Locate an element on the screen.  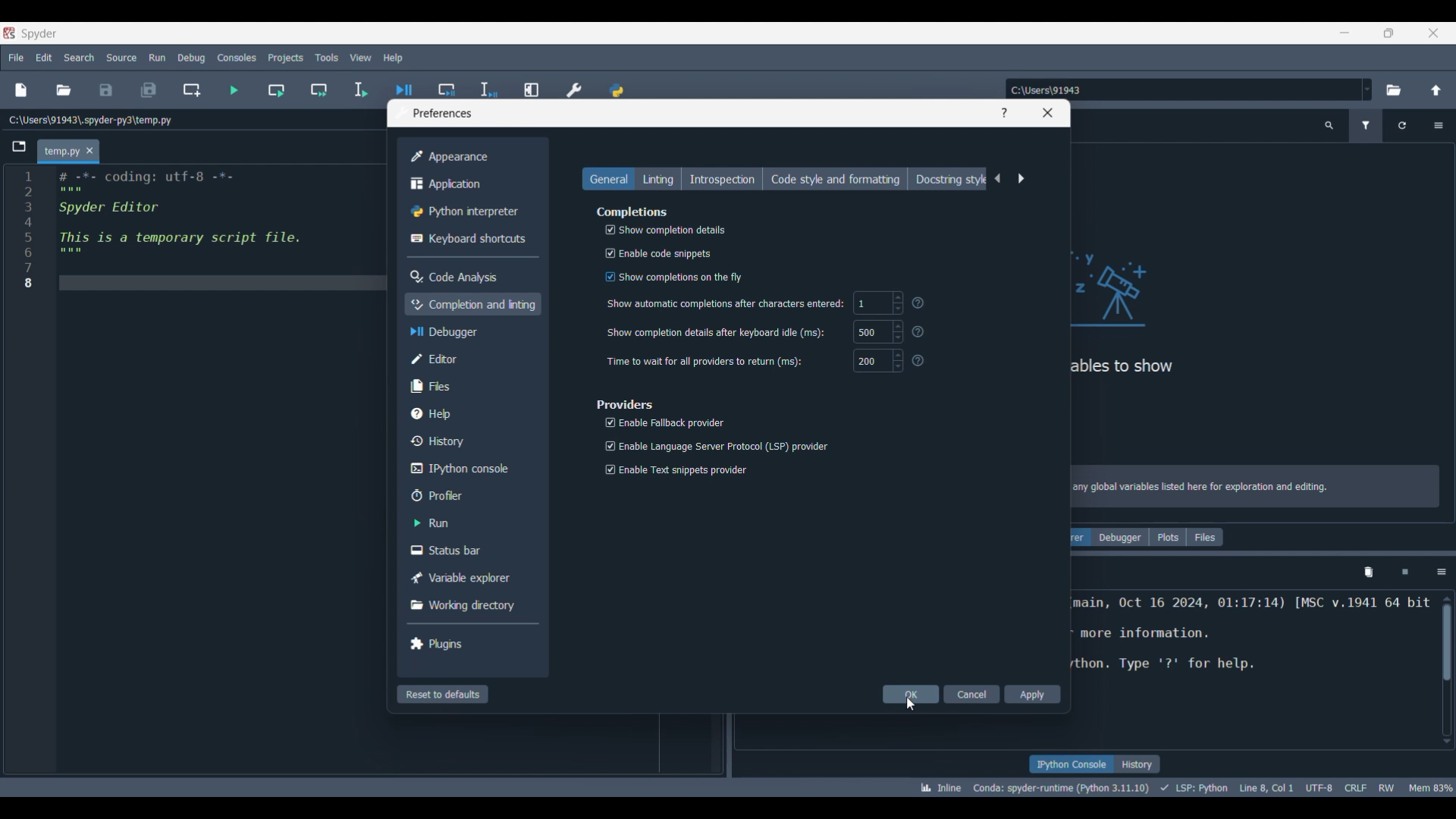
Change to parent directory is located at coordinates (1436, 90).